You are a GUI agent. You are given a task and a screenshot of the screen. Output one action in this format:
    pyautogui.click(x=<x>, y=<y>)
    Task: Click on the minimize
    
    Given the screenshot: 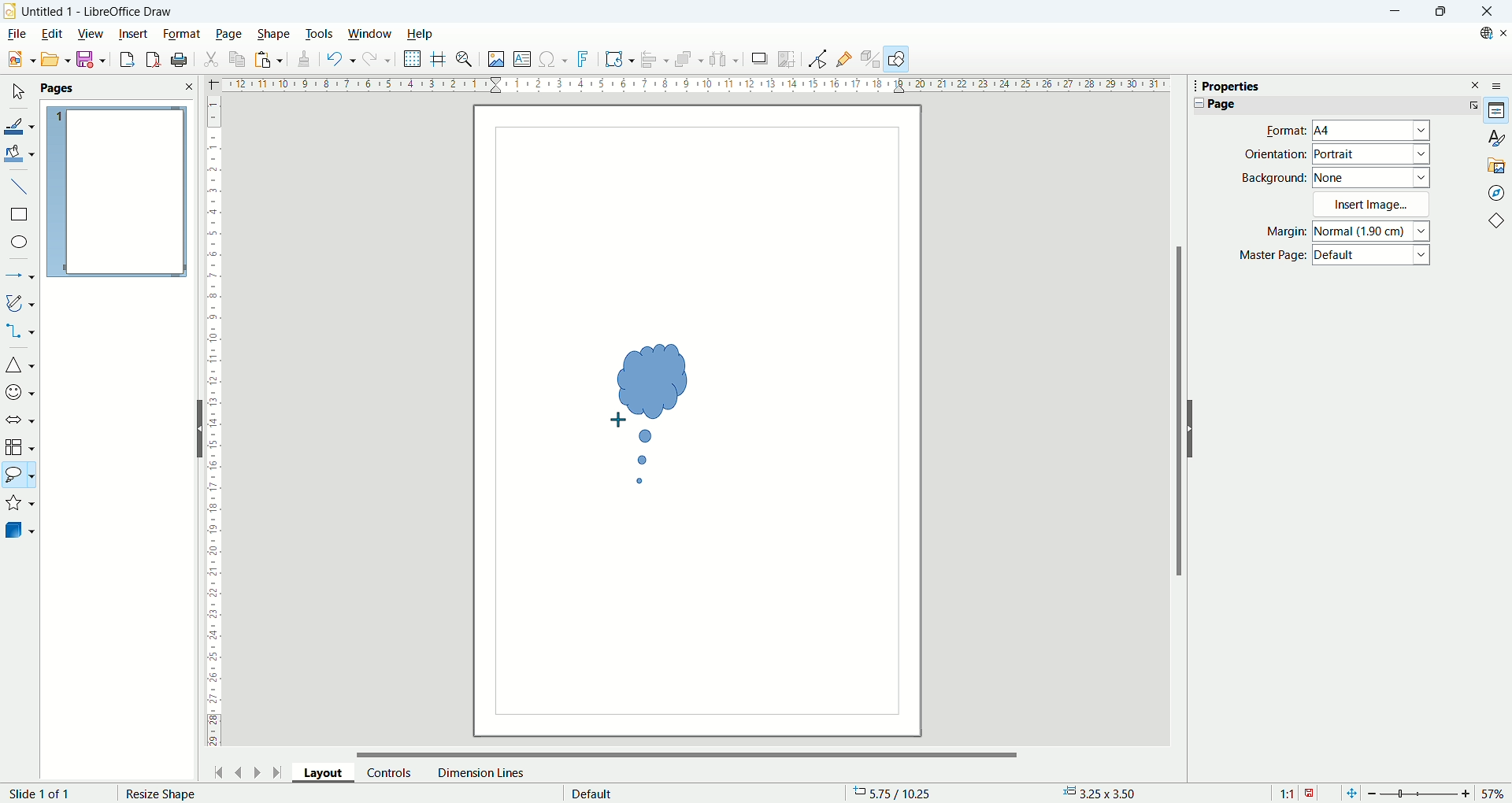 What is the action you would take?
    pyautogui.click(x=1393, y=12)
    